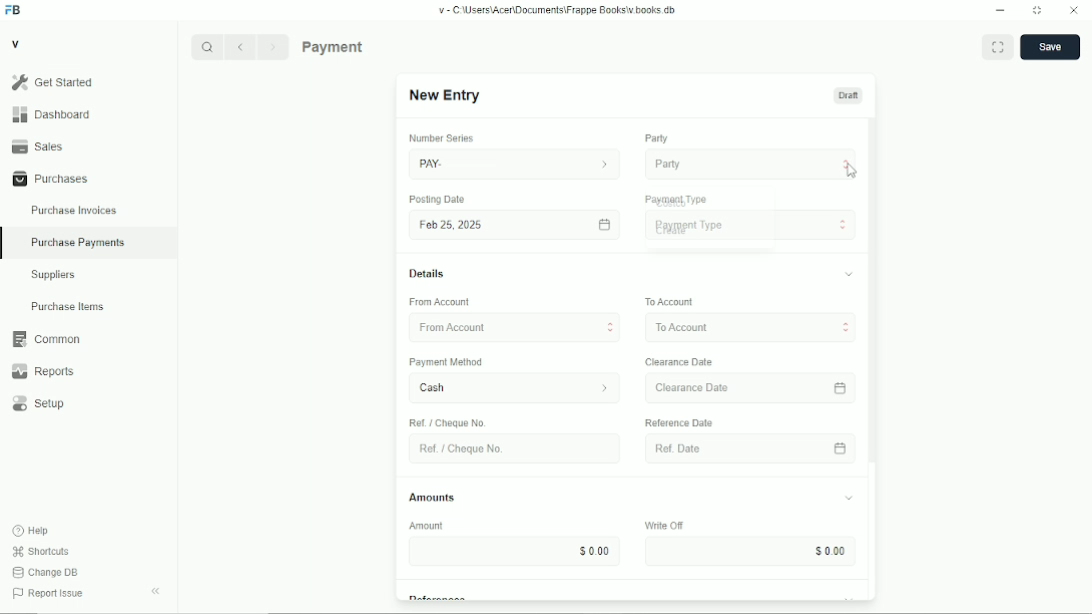 This screenshot has width=1092, height=614. What do you see at coordinates (31, 531) in the screenshot?
I see `Help` at bounding box center [31, 531].